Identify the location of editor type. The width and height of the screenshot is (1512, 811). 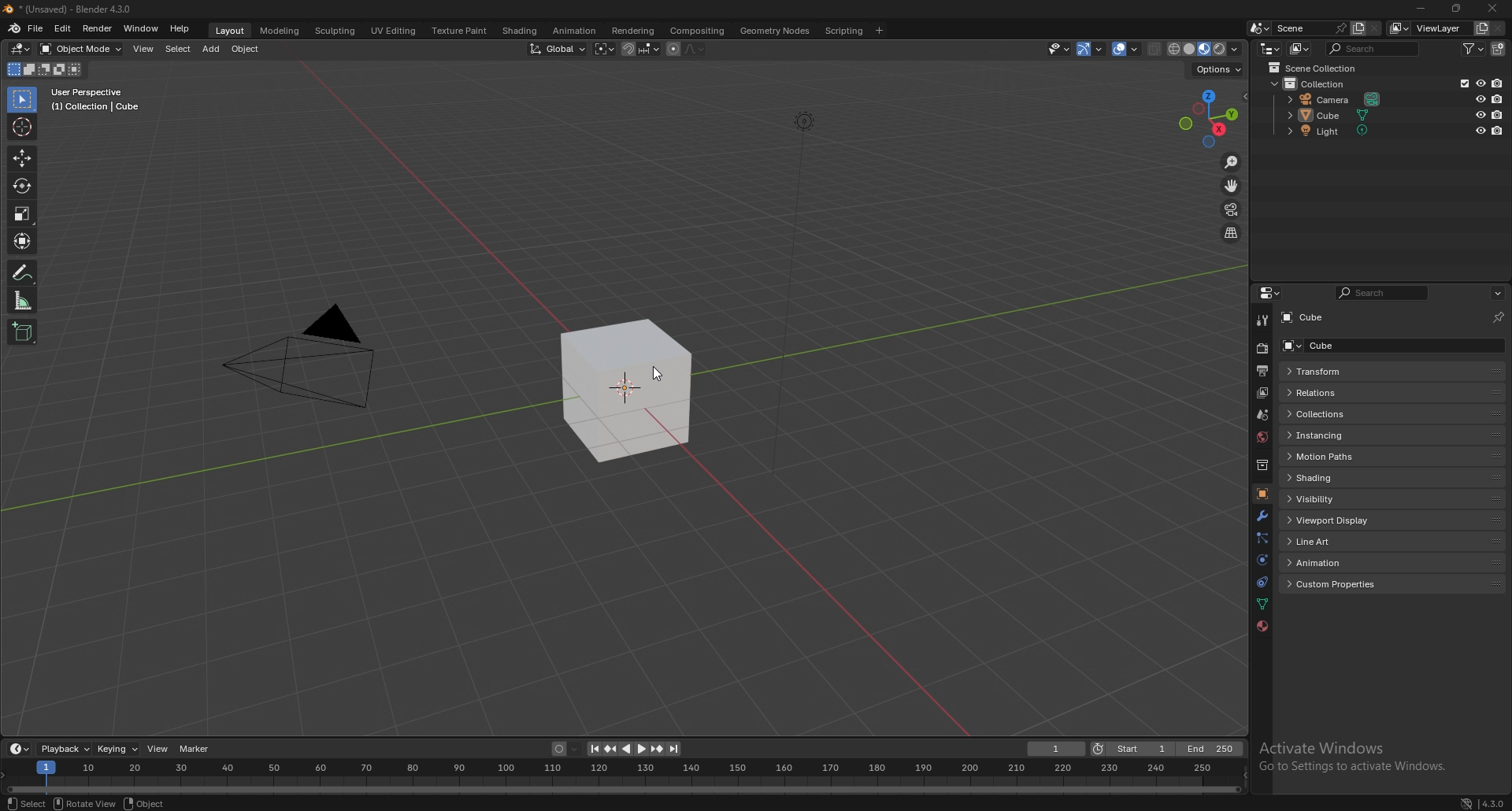
(20, 49).